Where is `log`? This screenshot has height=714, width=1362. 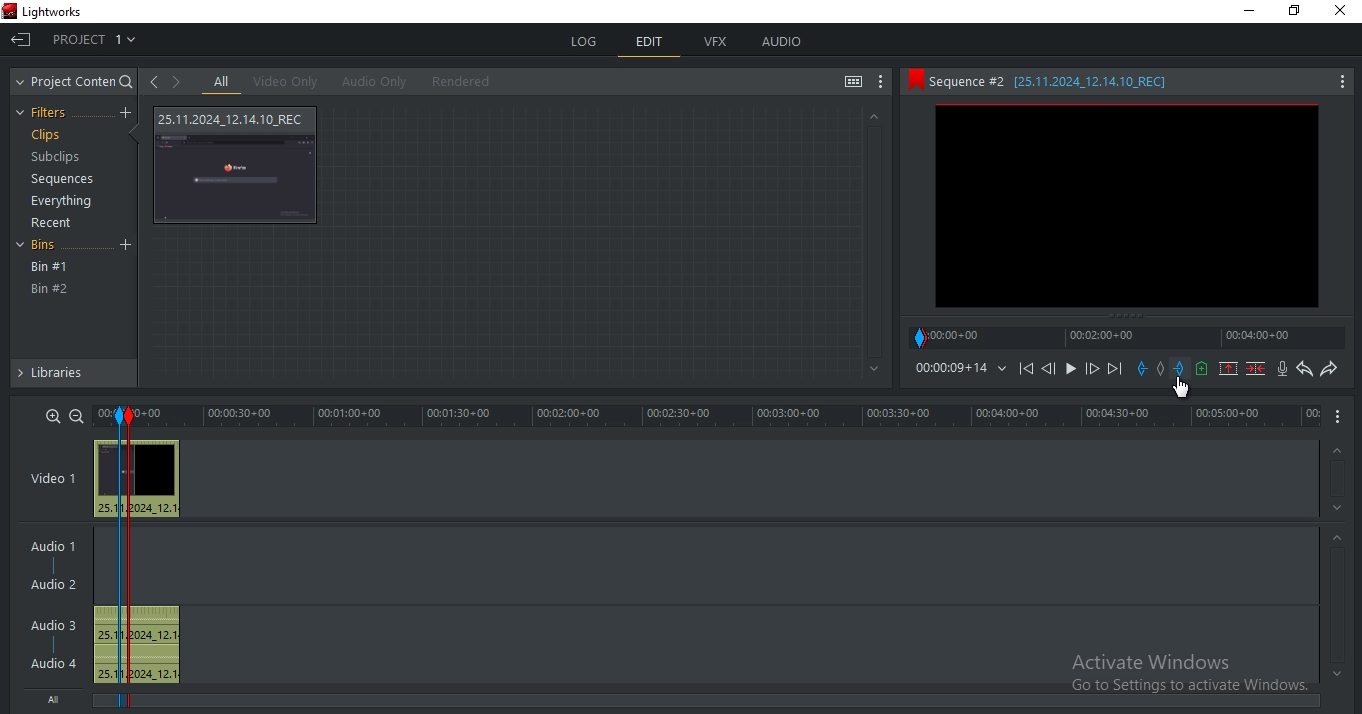
log is located at coordinates (586, 42).